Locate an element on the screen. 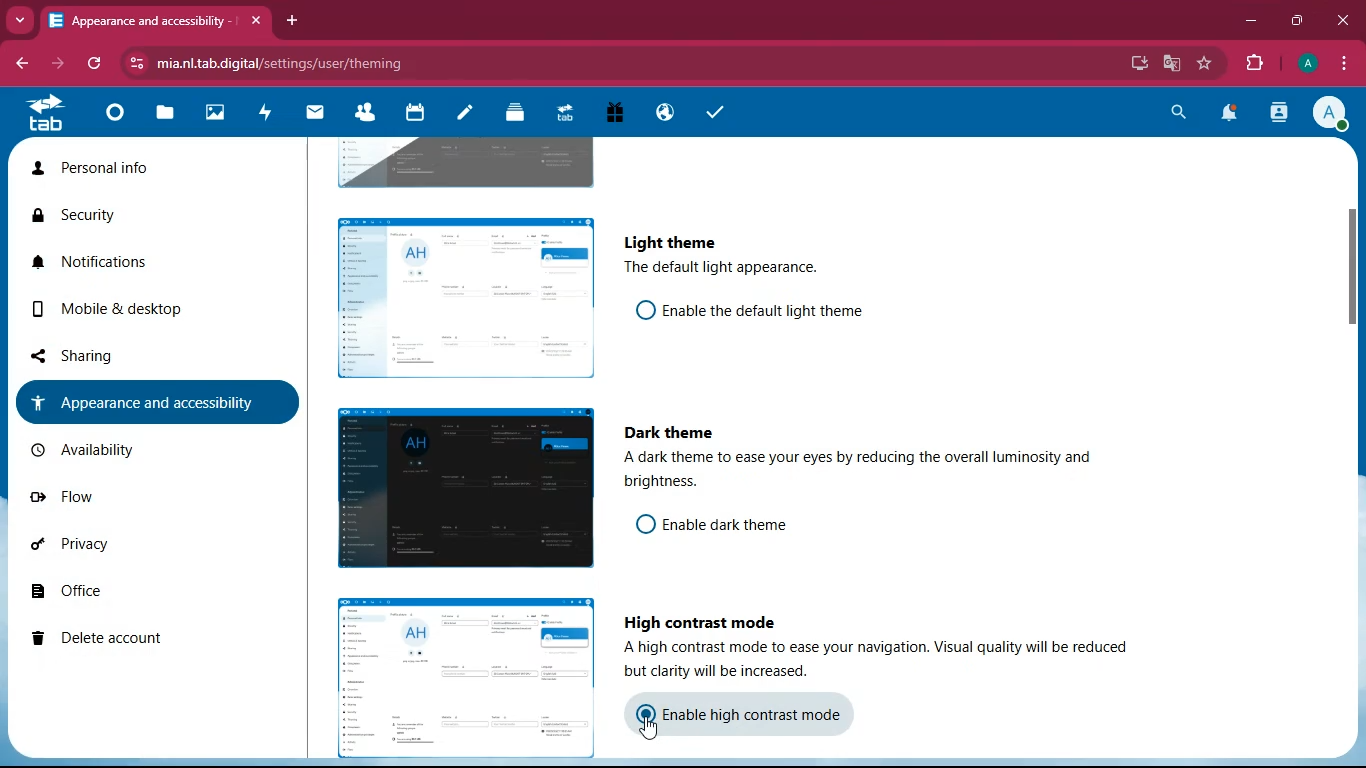 This screenshot has height=768, width=1366. profile is located at coordinates (1310, 64).